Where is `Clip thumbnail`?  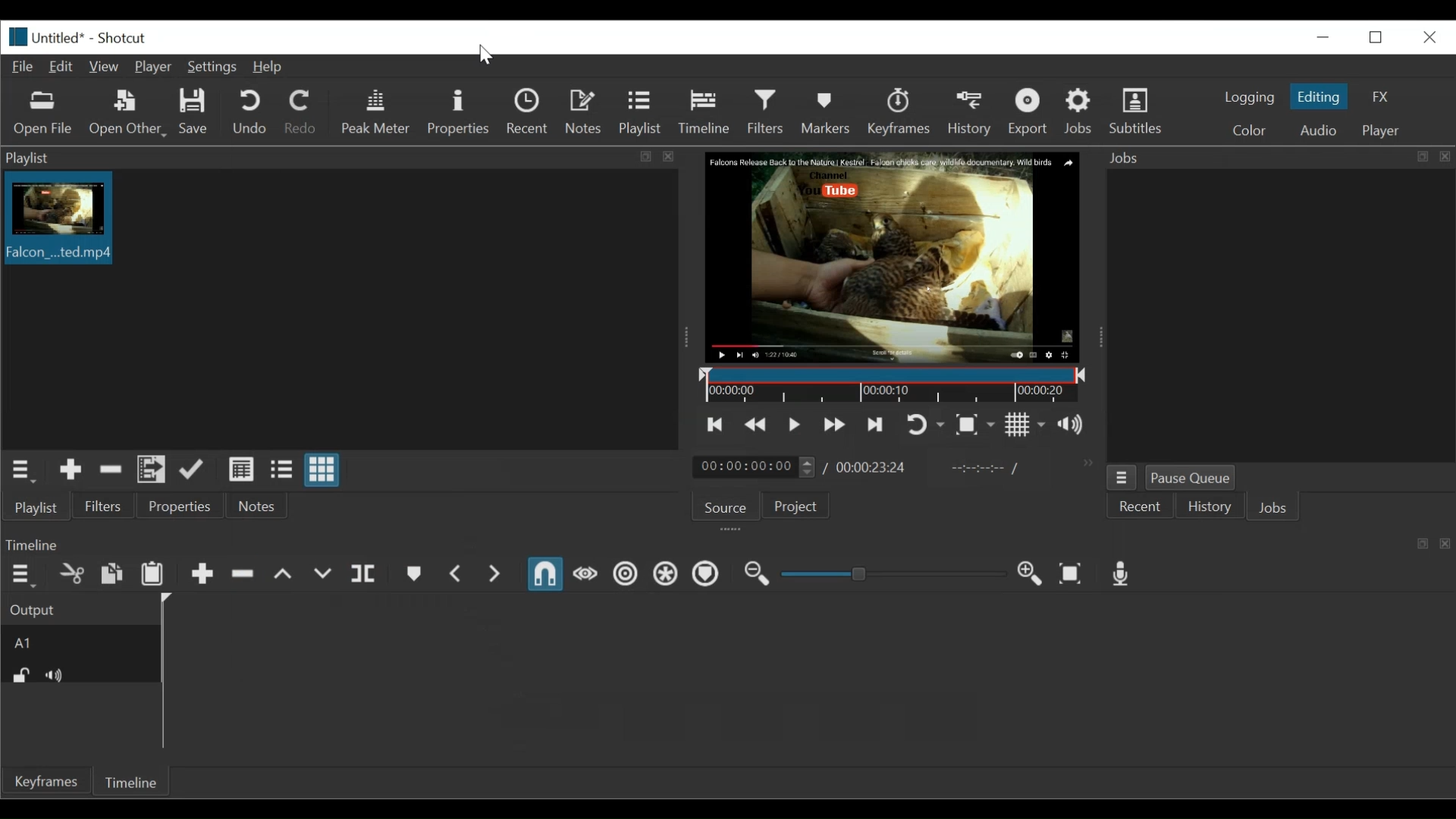 Clip thumbnail is located at coordinates (343, 311).